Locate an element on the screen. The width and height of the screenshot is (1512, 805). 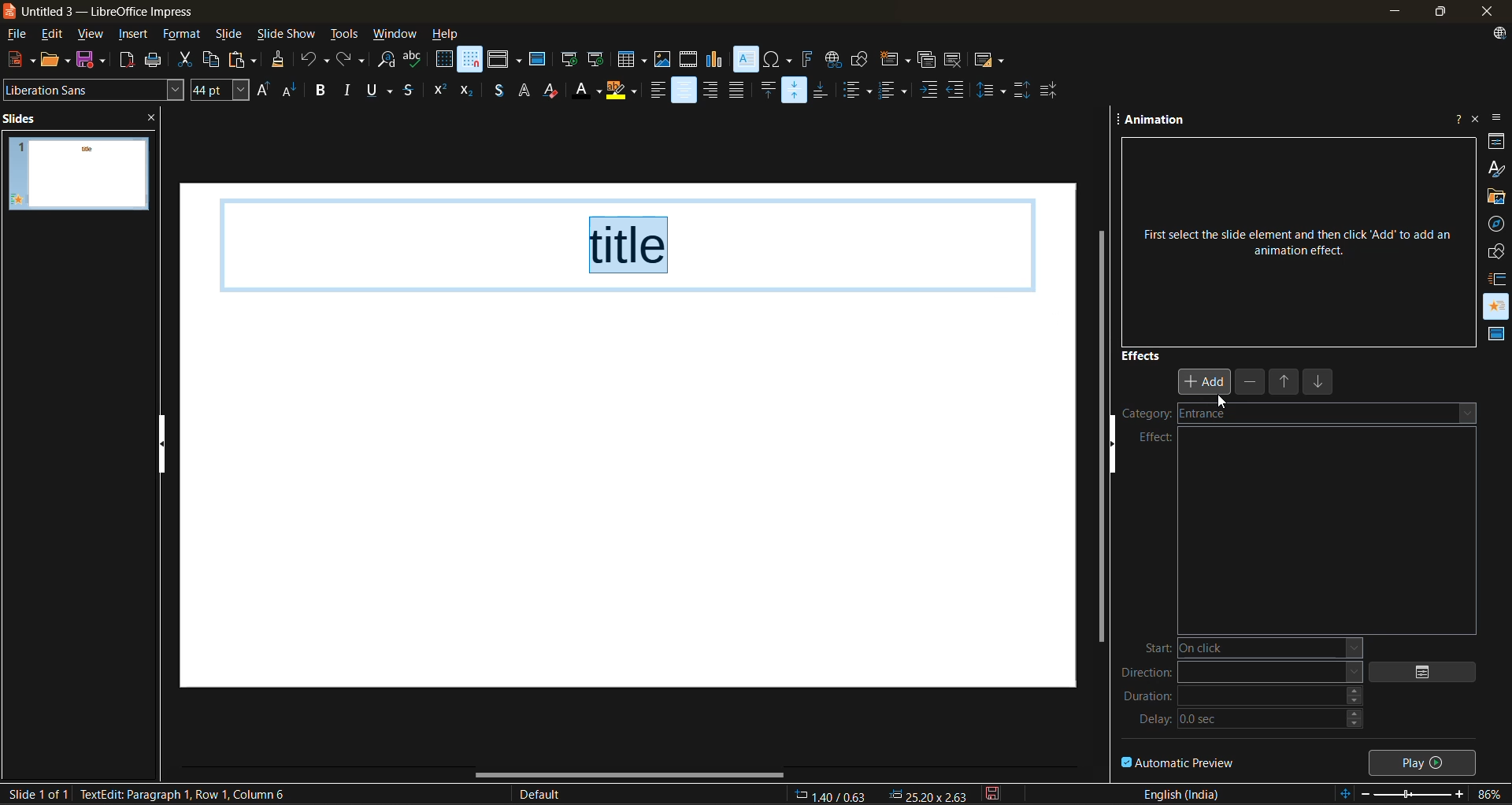
properties is located at coordinates (1497, 140).